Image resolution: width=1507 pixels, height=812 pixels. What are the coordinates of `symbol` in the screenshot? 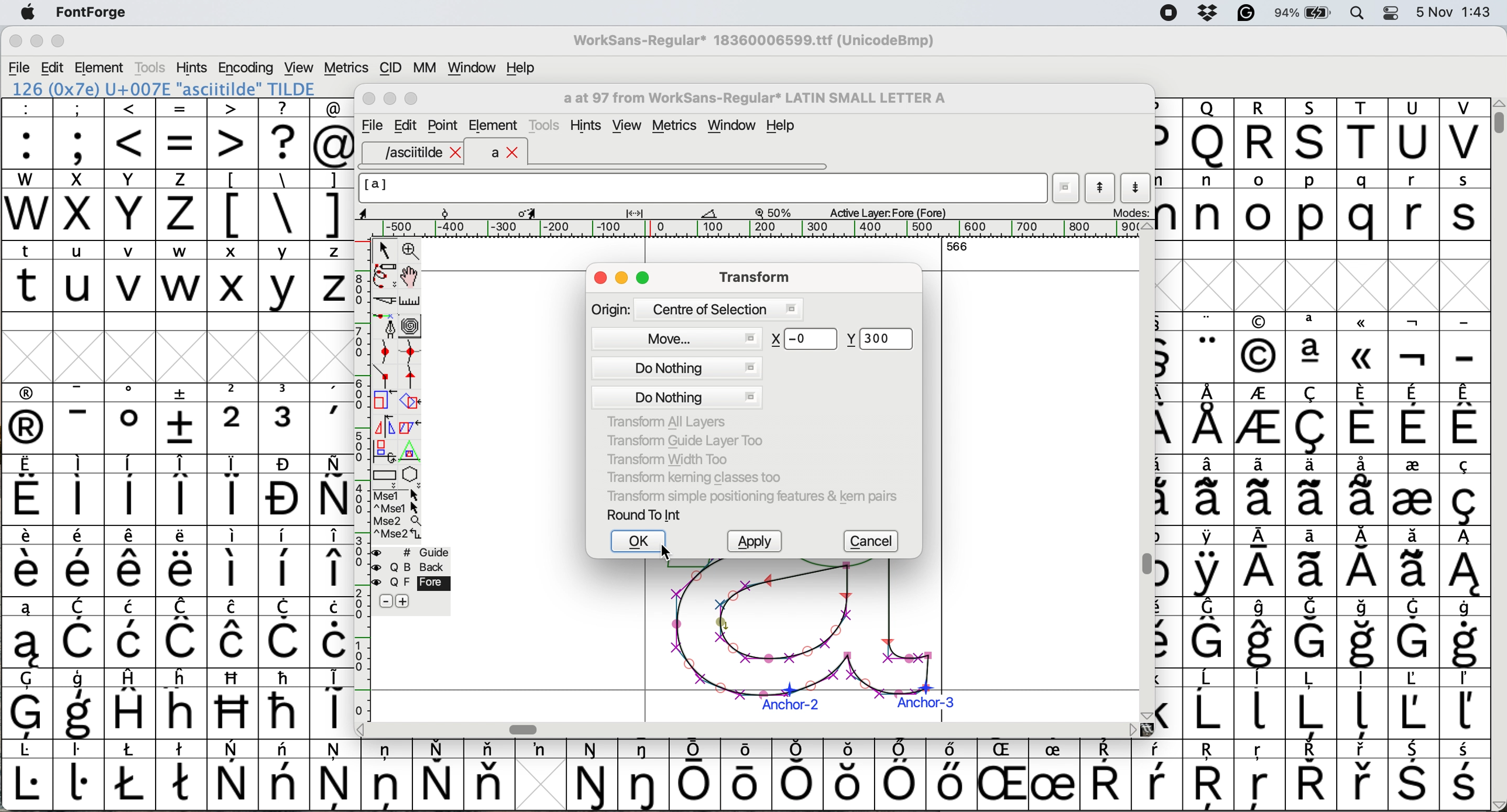 It's located at (1414, 776).